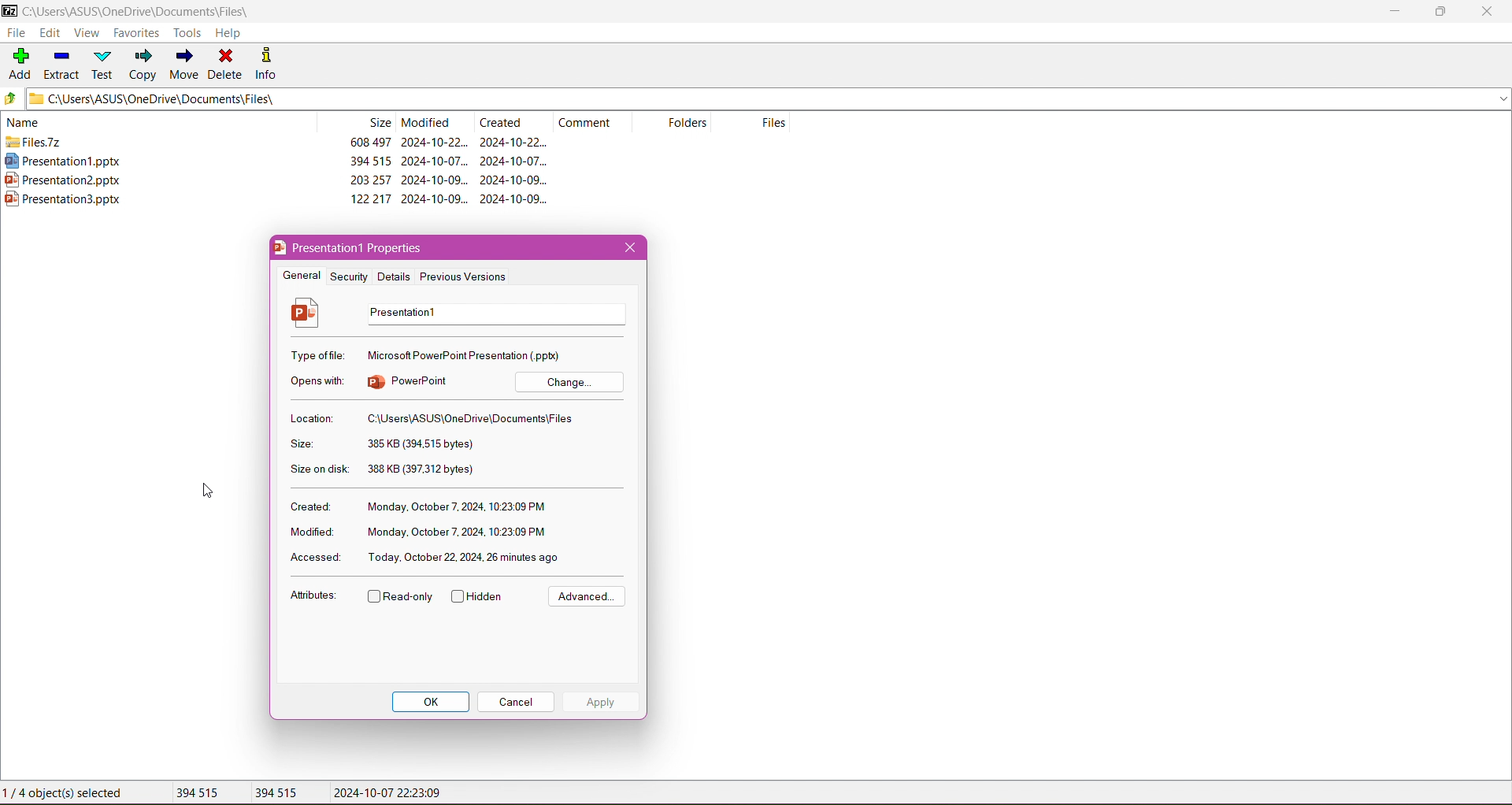 The image size is (1512, 805). Describe the element at coordinates (439, 446) in the screenshot. I see `385 KB (394,515 bytes)` at that location.